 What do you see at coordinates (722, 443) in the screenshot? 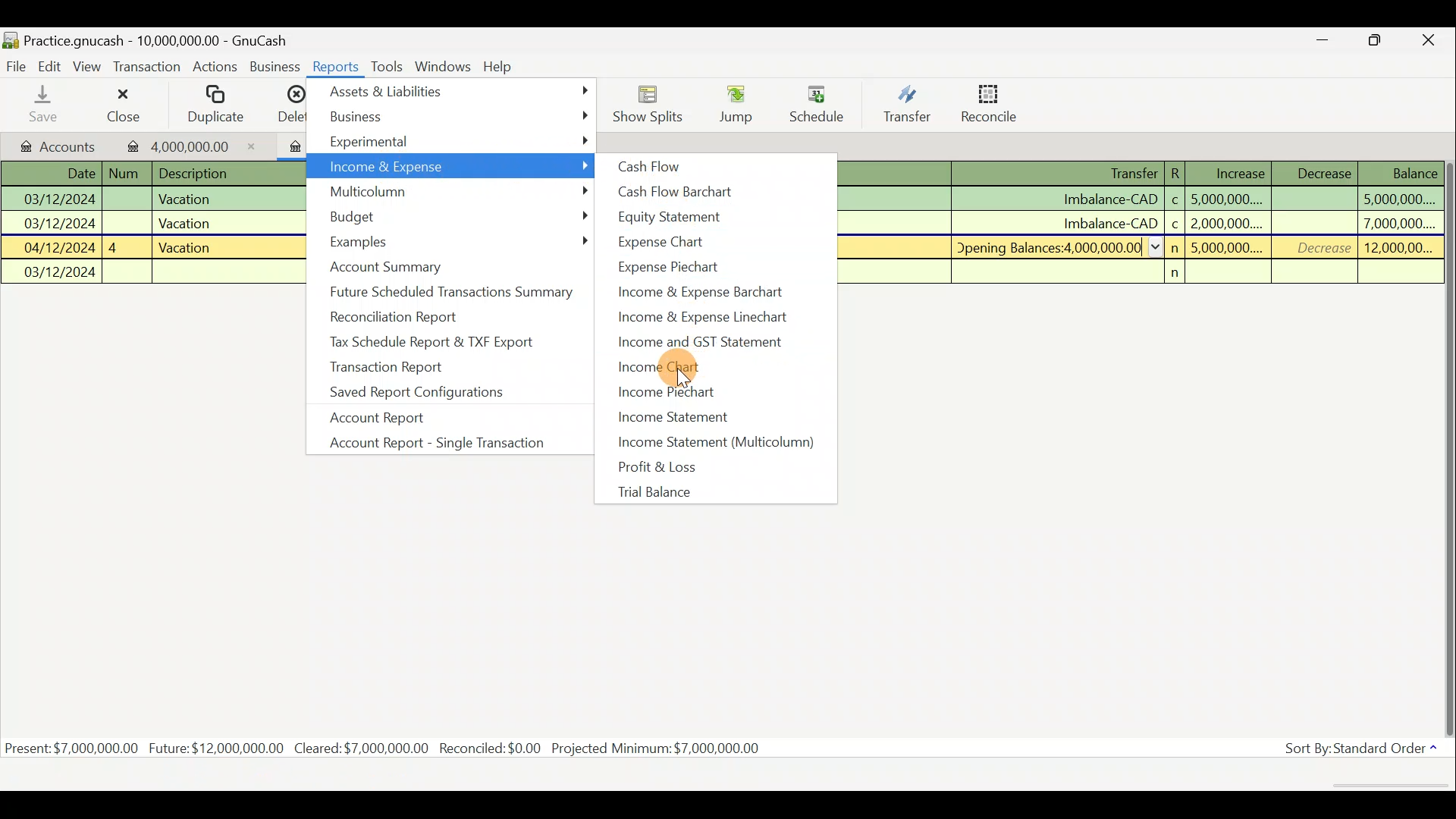
I see `Income statement (multicolumn)` at bounding box center [722, 443].